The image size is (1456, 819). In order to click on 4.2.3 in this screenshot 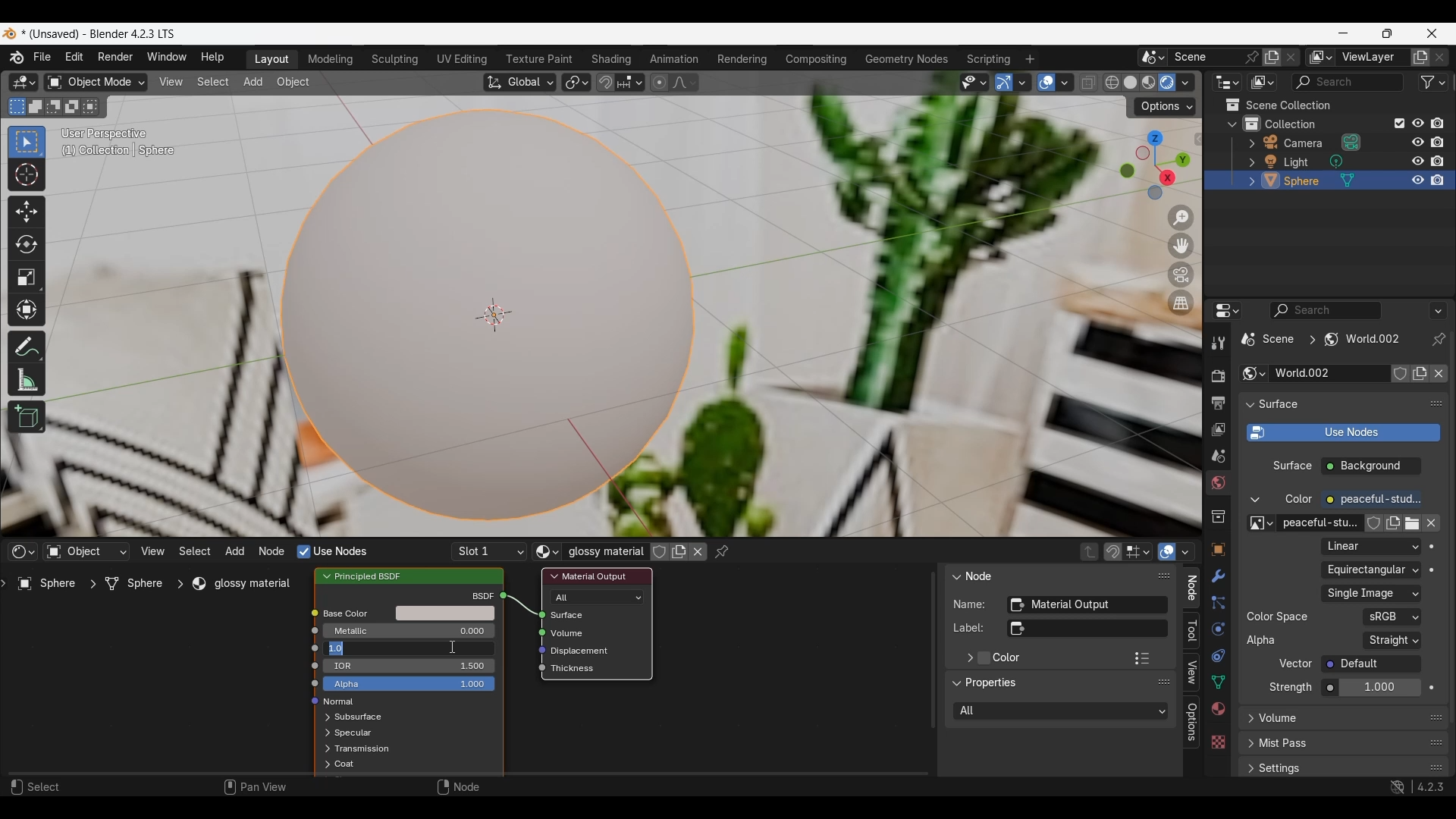, I will do `click(1431, 786)`.